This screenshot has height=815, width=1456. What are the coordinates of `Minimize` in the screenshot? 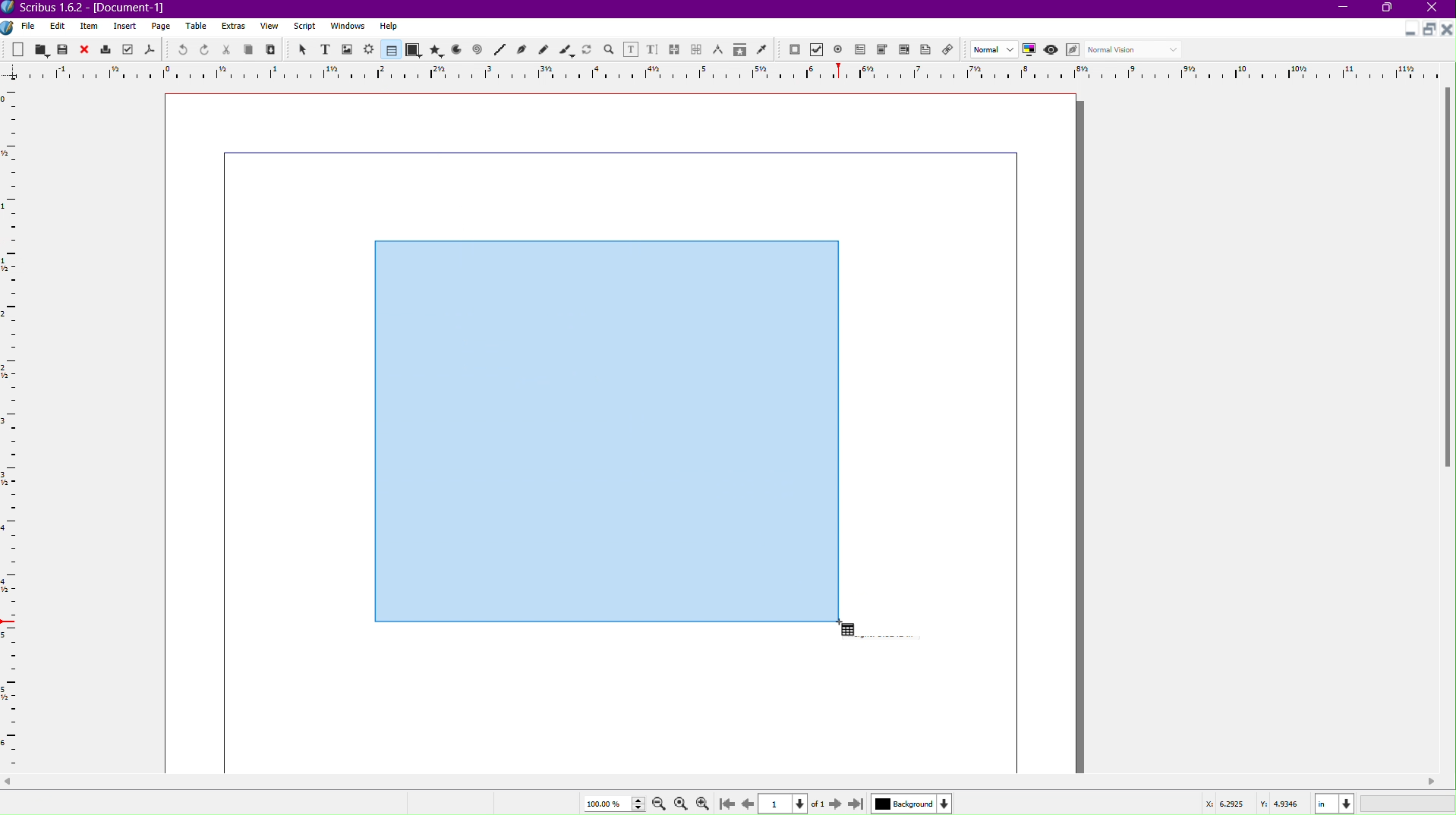 It's located at (1407, 31).